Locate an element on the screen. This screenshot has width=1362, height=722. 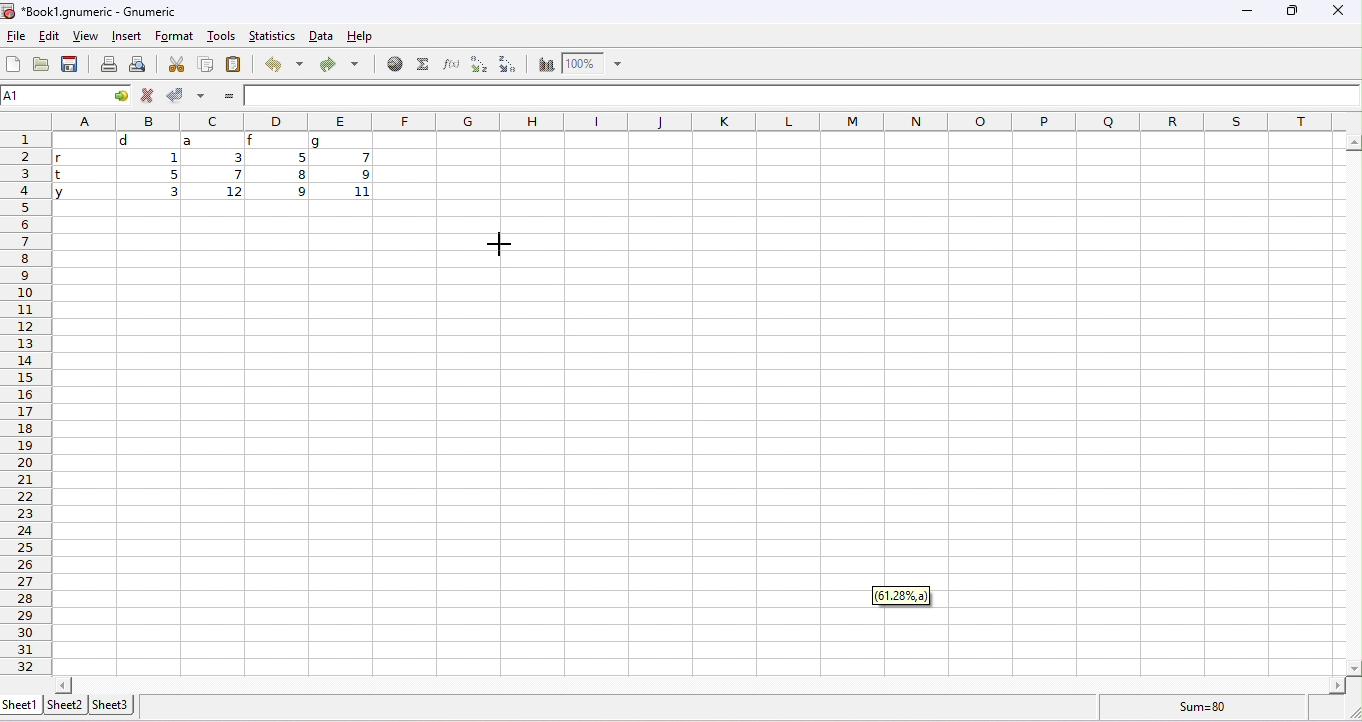
print preview is located at coordinates (141, 64).